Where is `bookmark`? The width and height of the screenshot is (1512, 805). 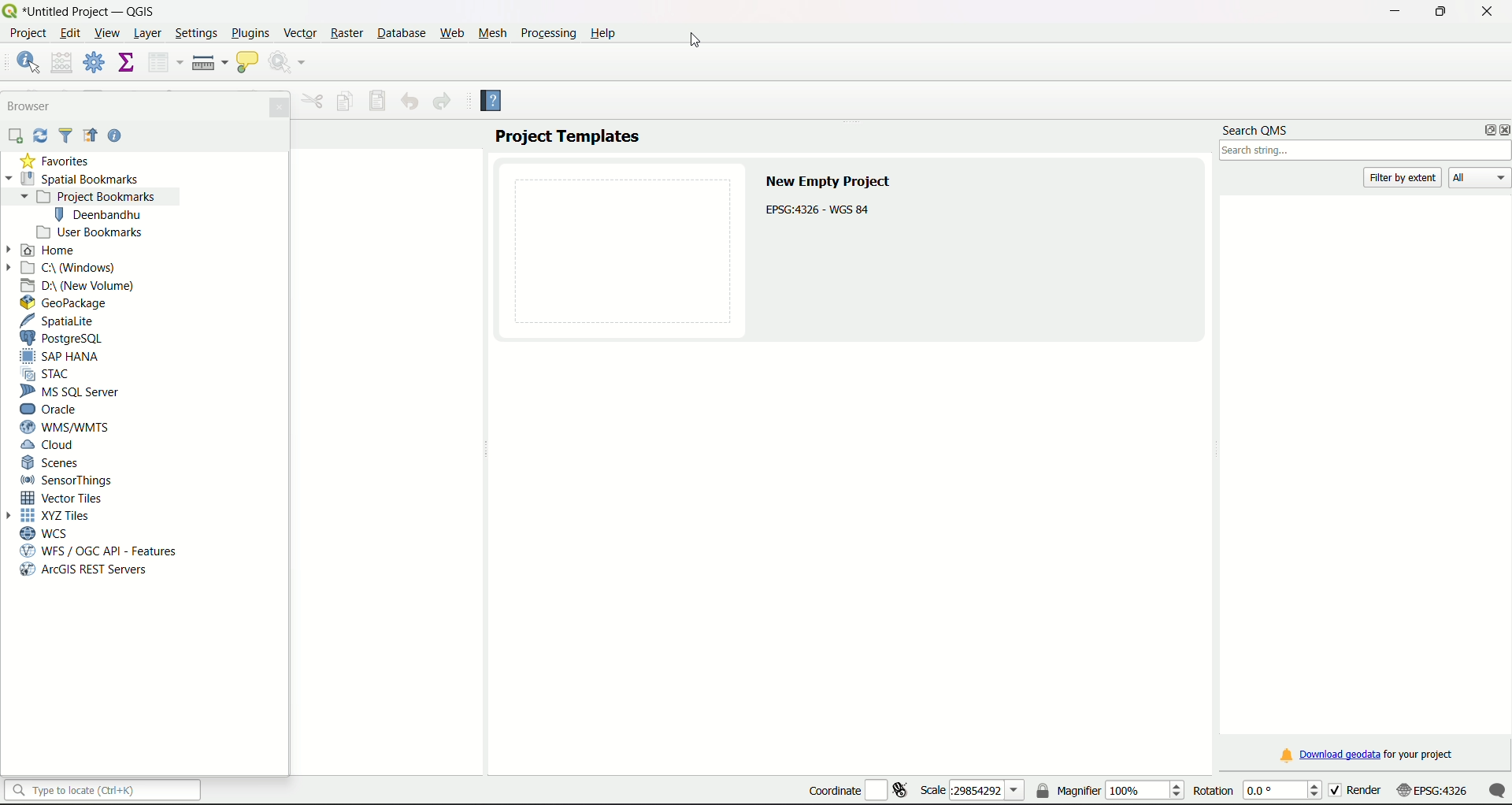
bookmark is located at coordinates (108, 214).